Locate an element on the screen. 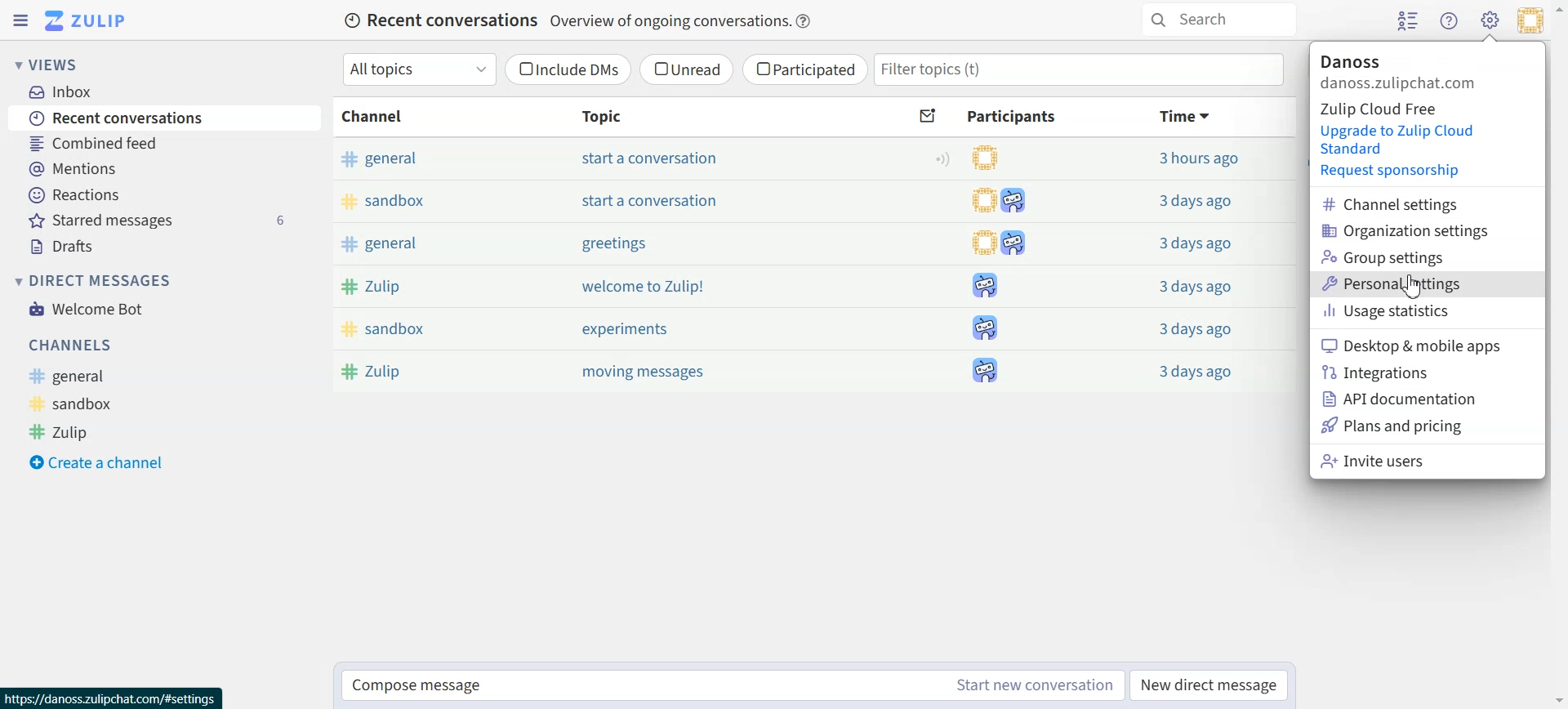 The image size is (1568, 709). Filter topics(t) is located at coordinates (1080, 69).